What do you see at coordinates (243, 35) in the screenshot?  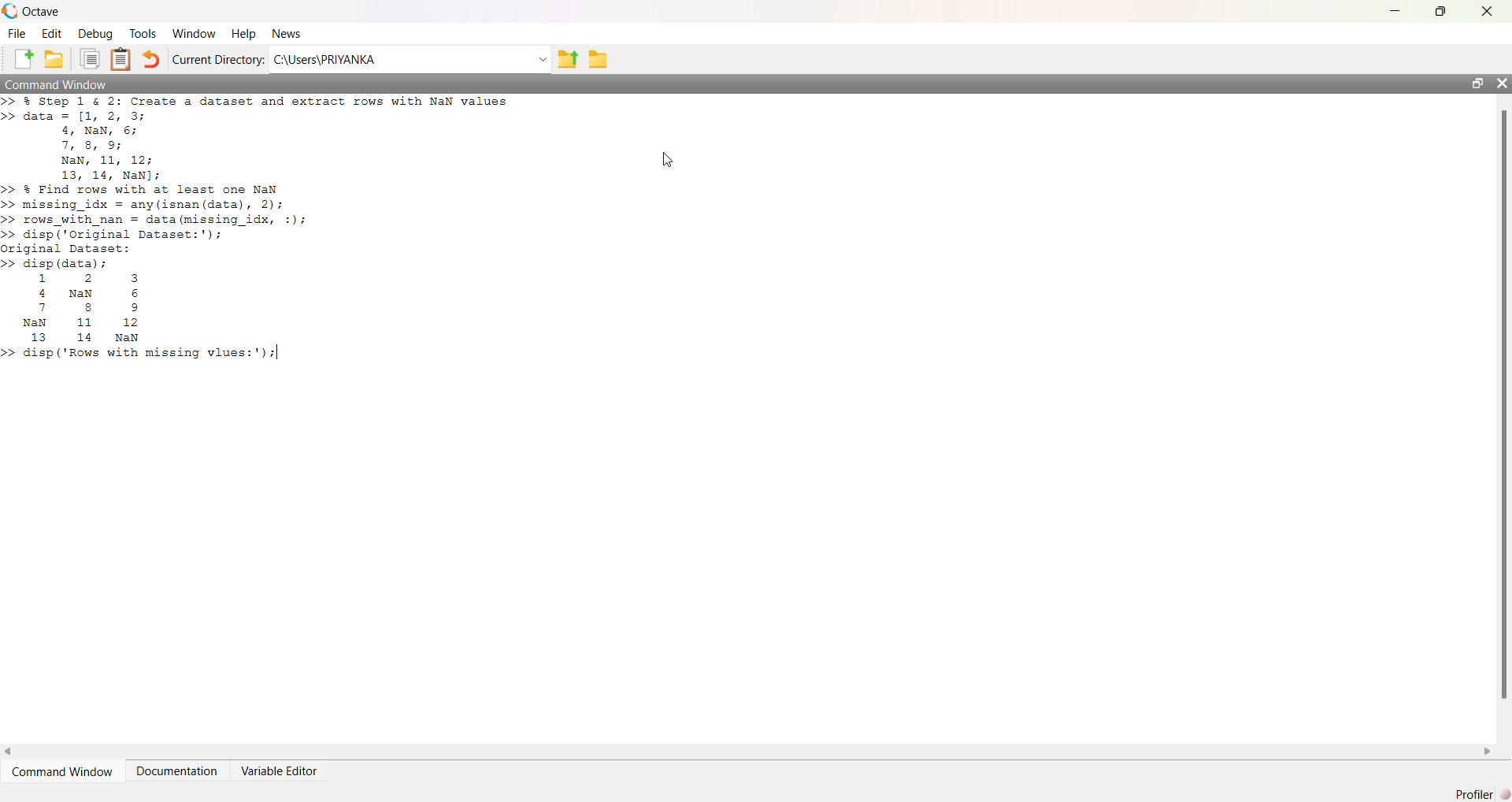 I see `Help` at bounding box center [243, 35].